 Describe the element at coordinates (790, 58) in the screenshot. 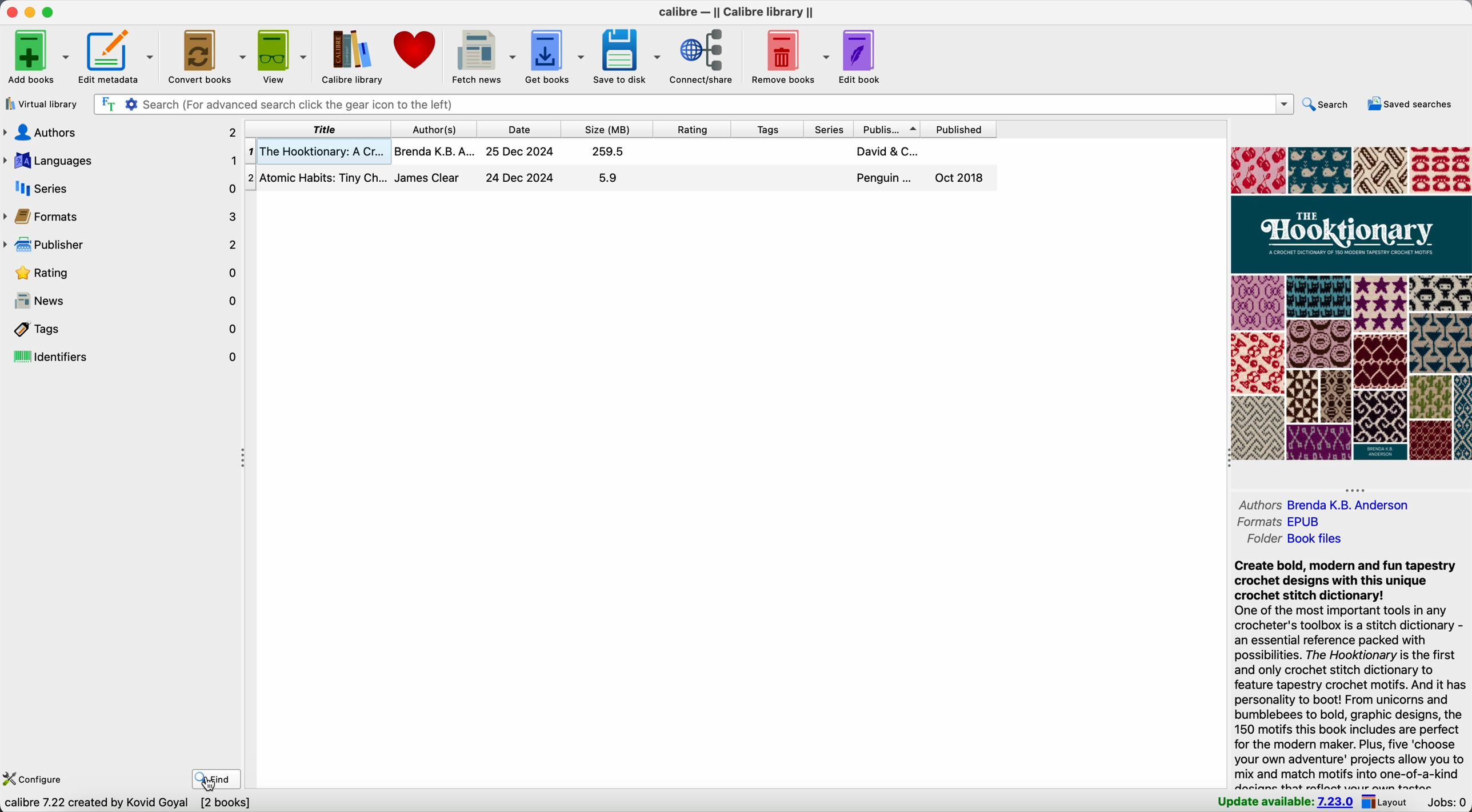

I see `remove books` at that location.